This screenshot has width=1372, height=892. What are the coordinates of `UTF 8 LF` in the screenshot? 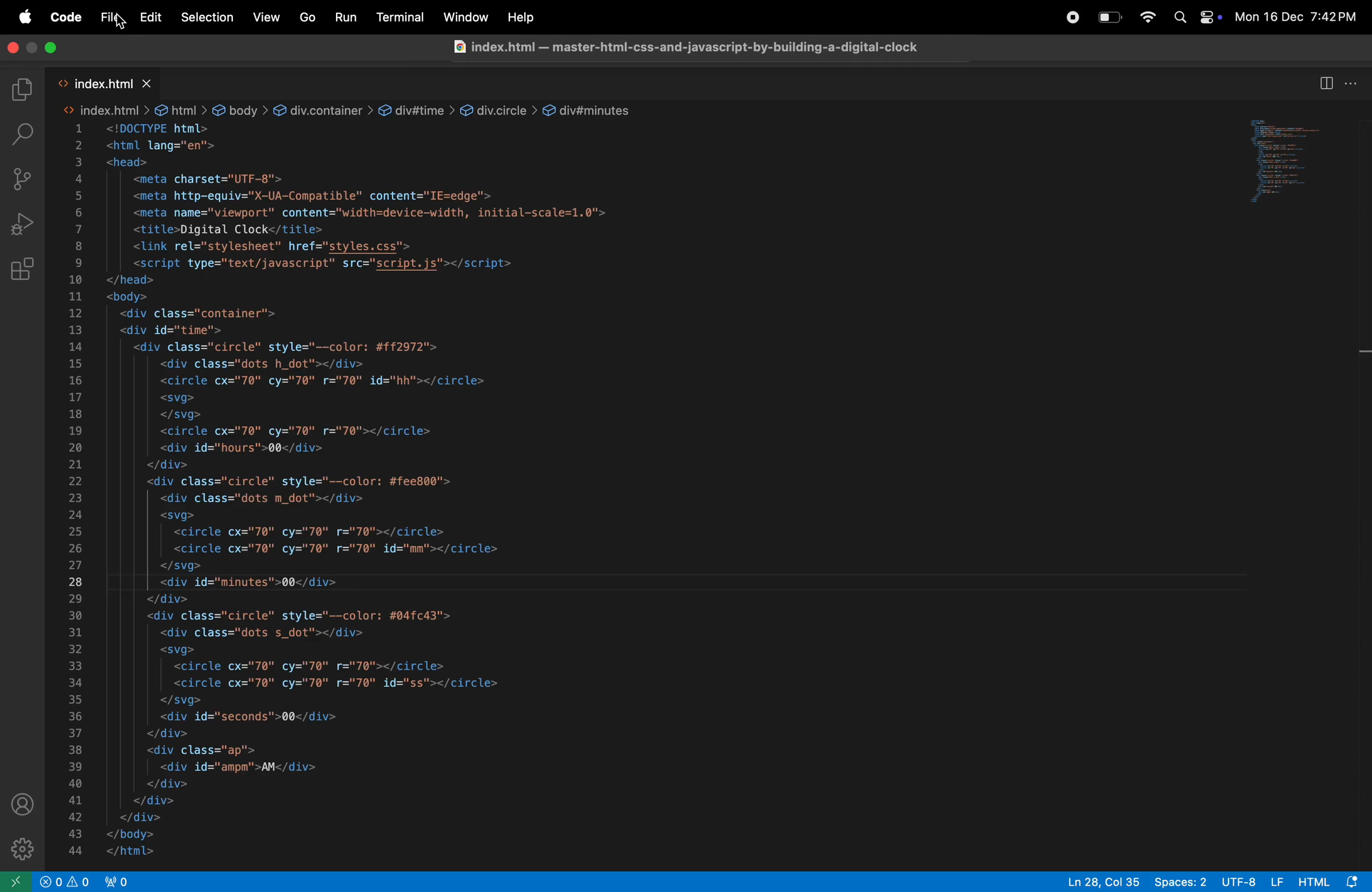 It's located at (1250, 880).